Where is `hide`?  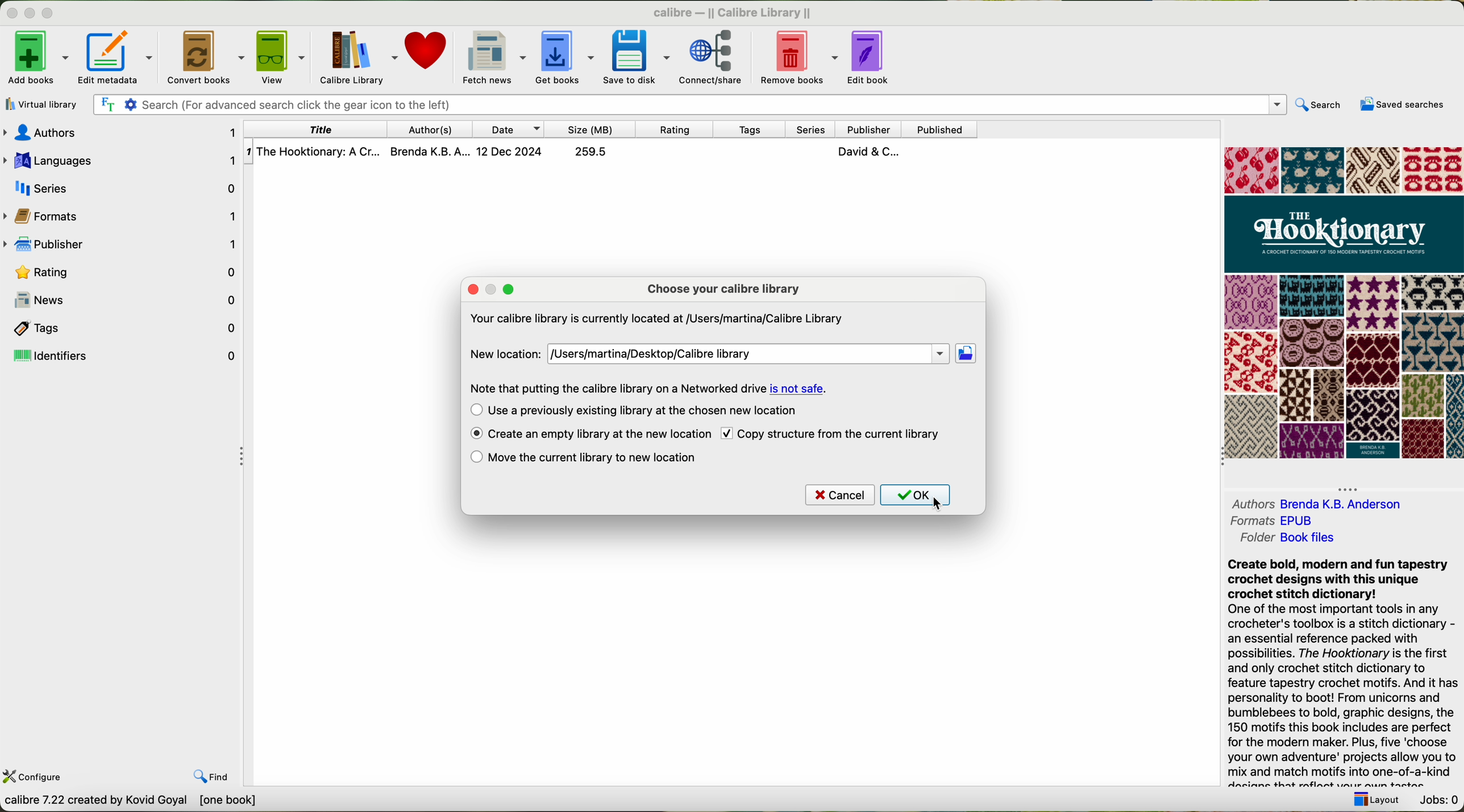 hide is located at coordinates (1349, 487).